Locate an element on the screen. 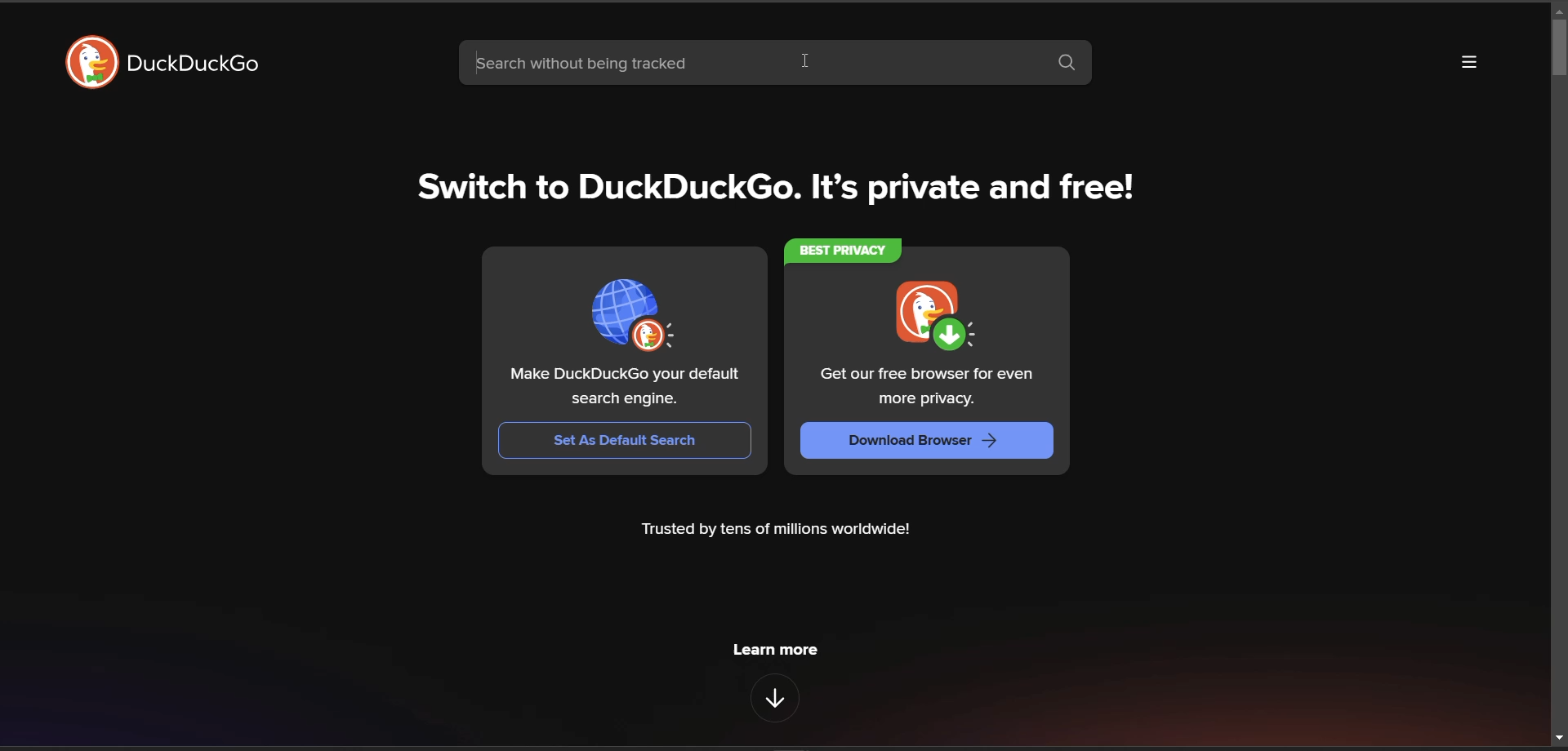 This screenshot has width=1568, height=751. search button is located at coordinates (1065, 62).